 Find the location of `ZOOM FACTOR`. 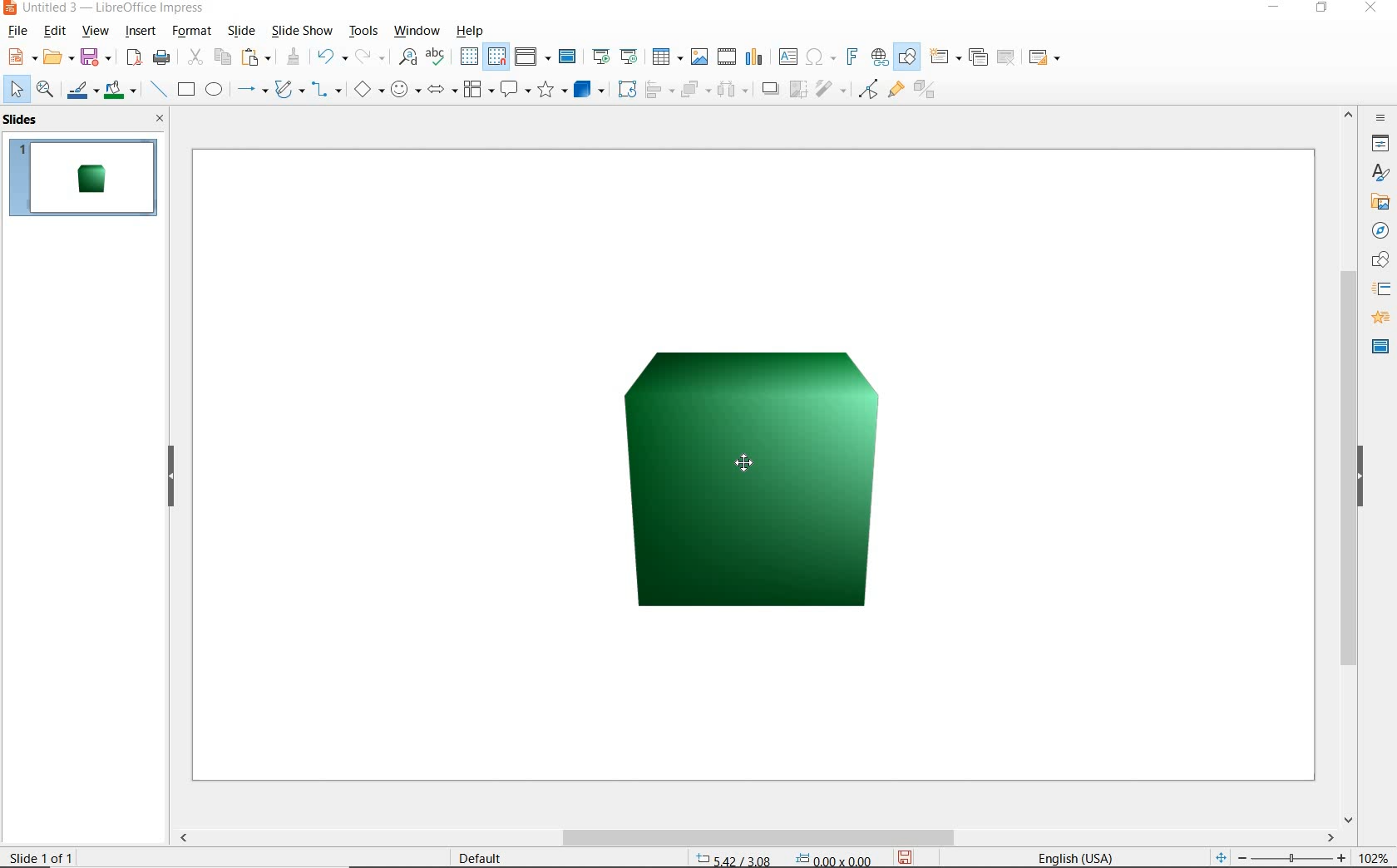

ZOOM FACTOR is located at coordinates (1371, 855).